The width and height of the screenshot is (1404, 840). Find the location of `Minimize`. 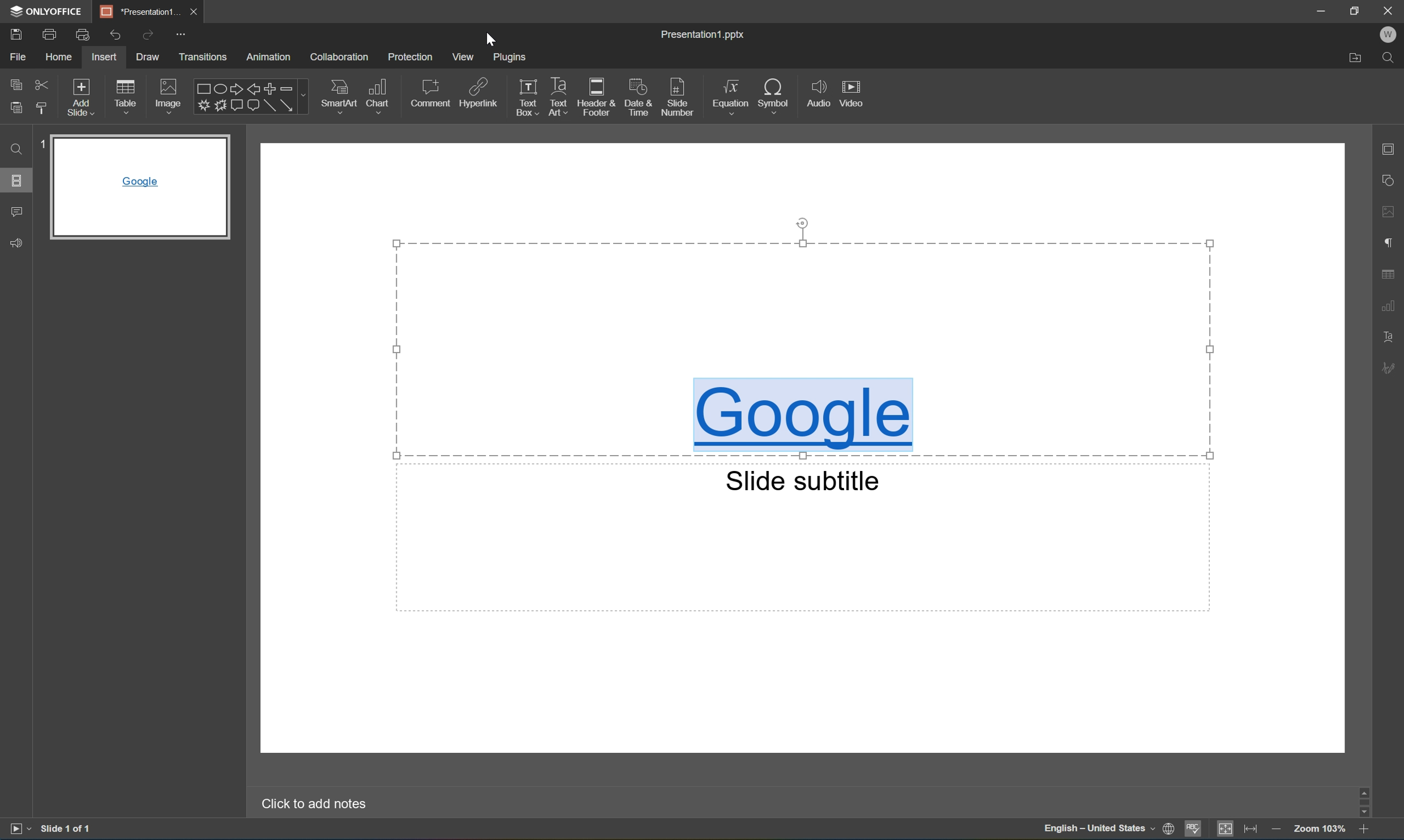

Minimize is located at coordinates (1322, 8).